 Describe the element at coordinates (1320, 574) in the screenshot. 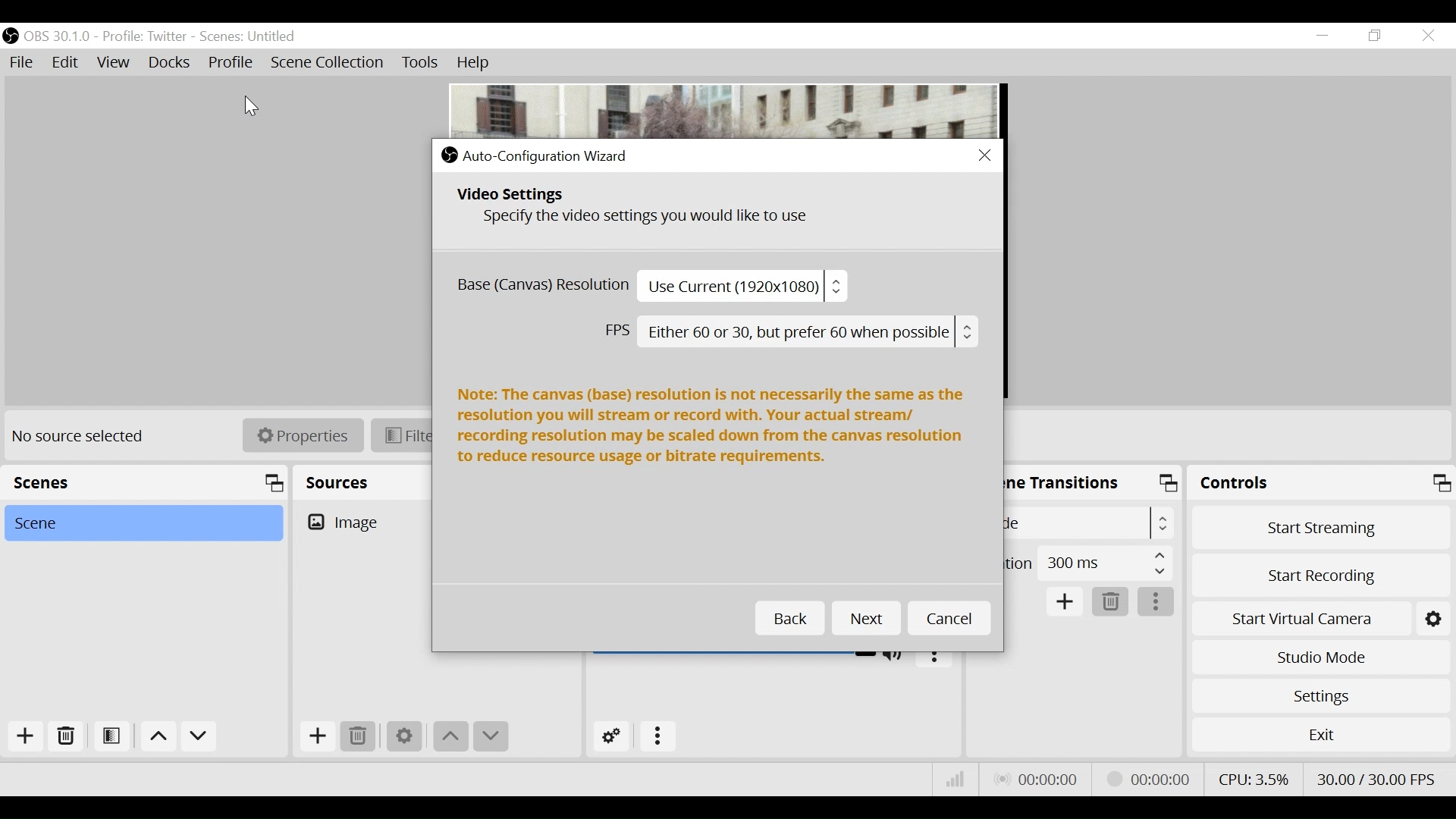

I see `Start Recording` at that location.